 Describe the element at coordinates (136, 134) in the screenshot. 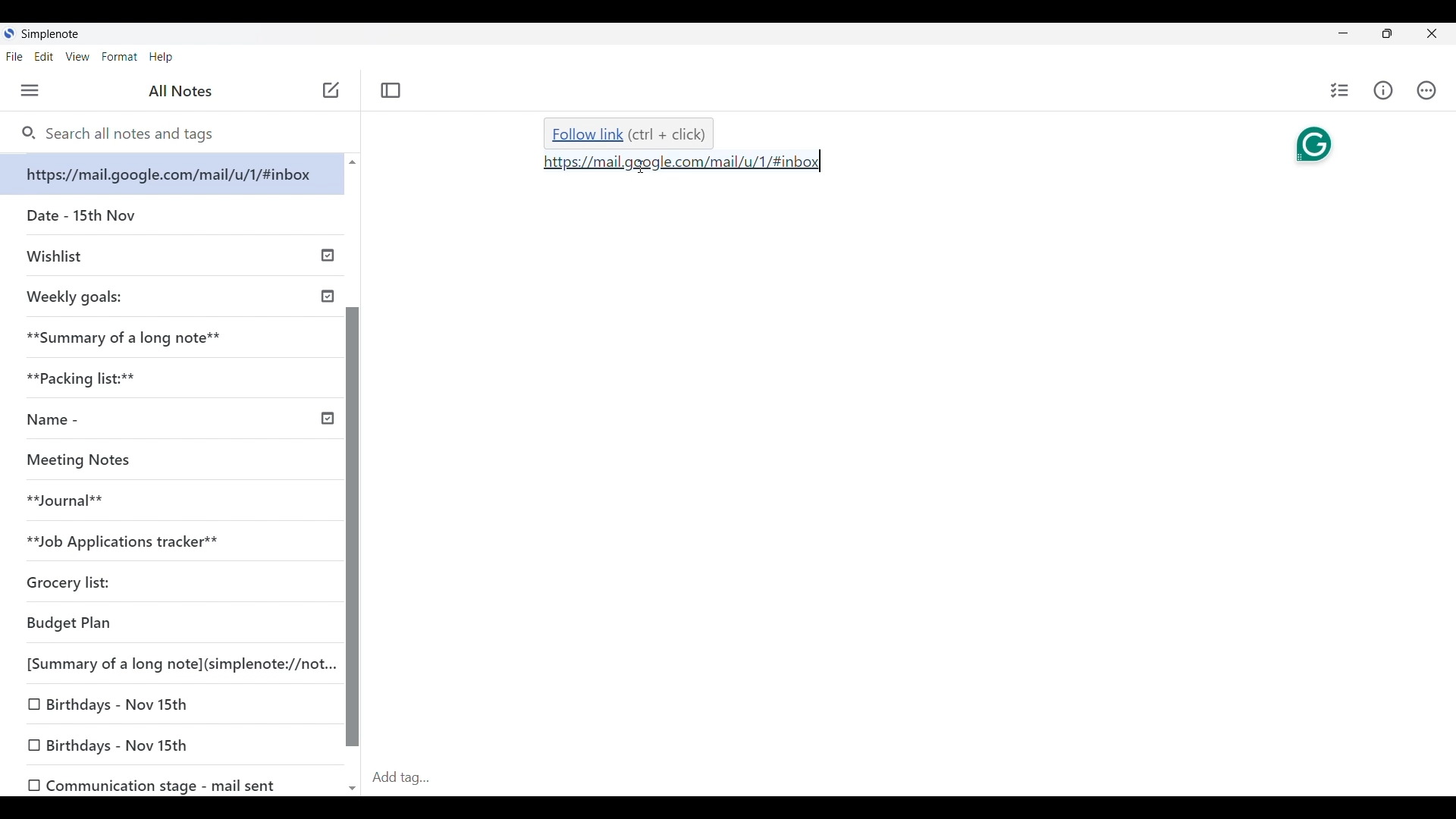

I see `Search notes` at that location.